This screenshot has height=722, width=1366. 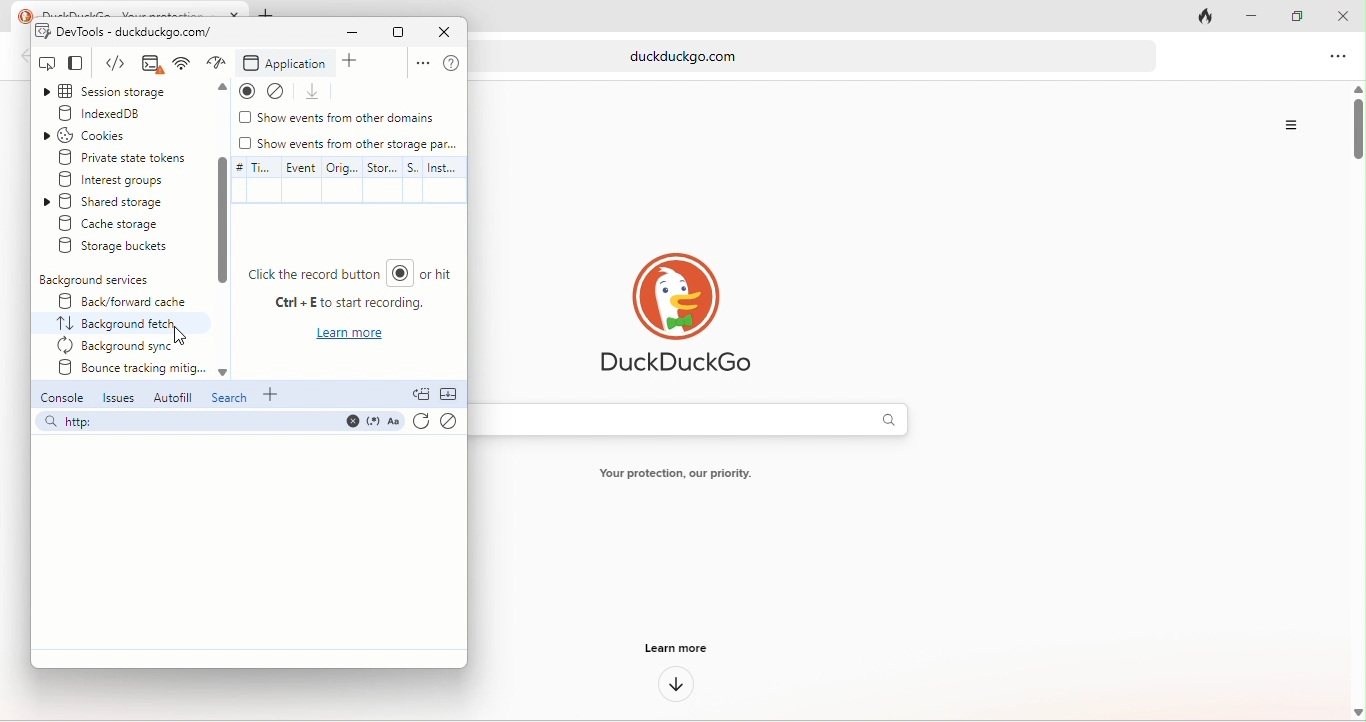 What do you see at coordinates (1209, 19) in the screenshot?
I see `track tab` at bounding box center [1209, 19].